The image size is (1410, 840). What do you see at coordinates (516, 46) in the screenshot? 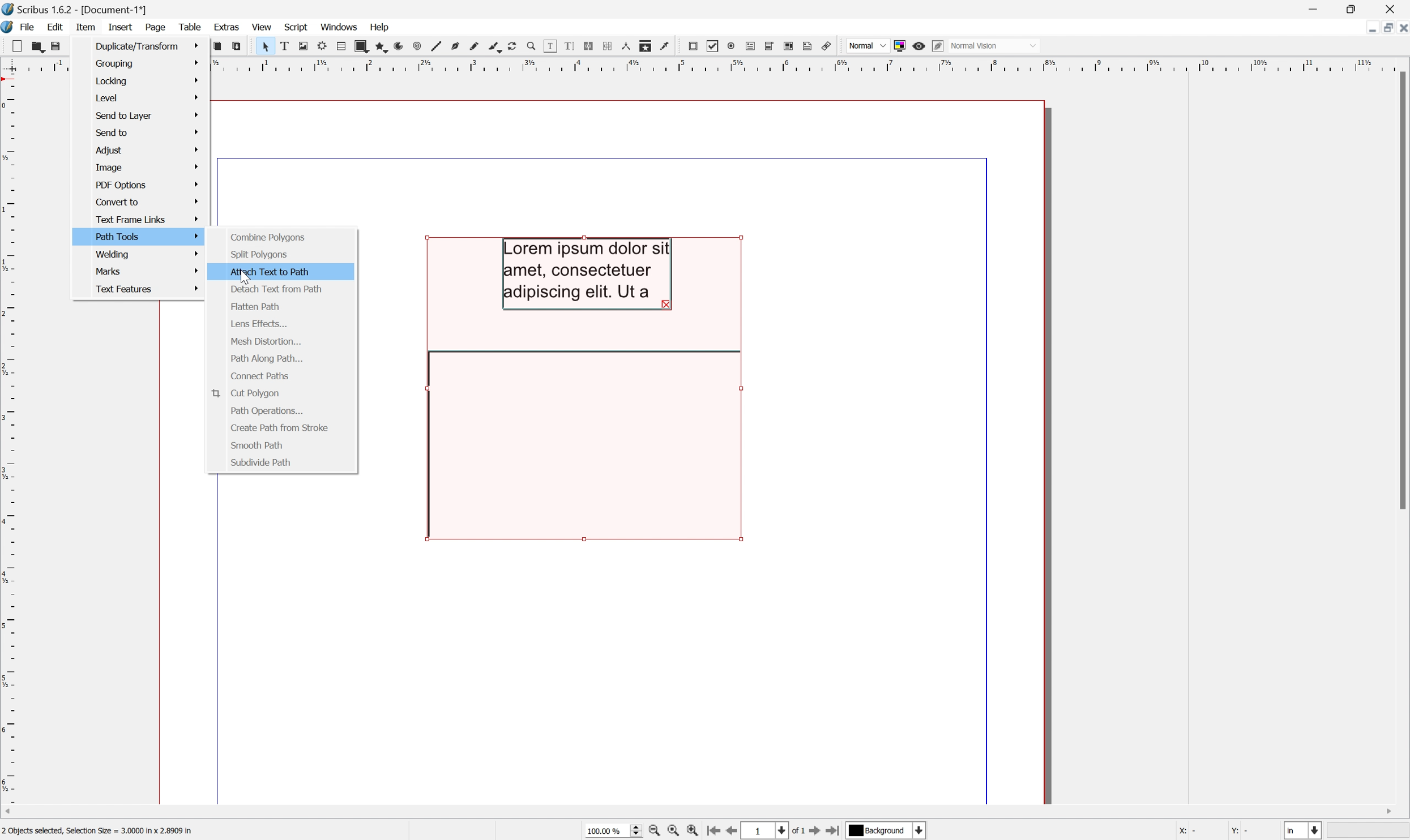
I see `Rotate item` at bounding box center [516, 46].